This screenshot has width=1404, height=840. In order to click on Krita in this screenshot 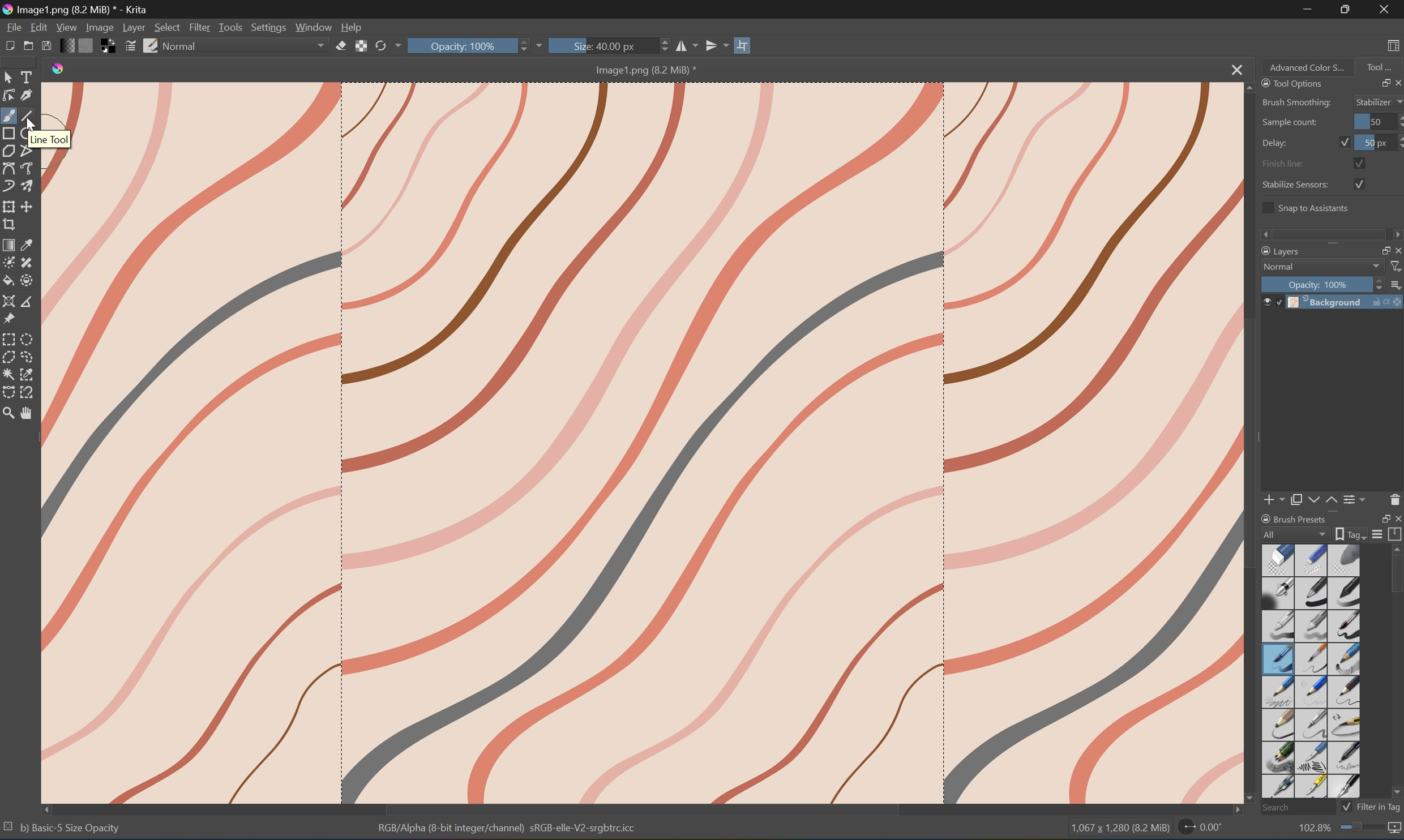, I will do `click(59, 70)`.